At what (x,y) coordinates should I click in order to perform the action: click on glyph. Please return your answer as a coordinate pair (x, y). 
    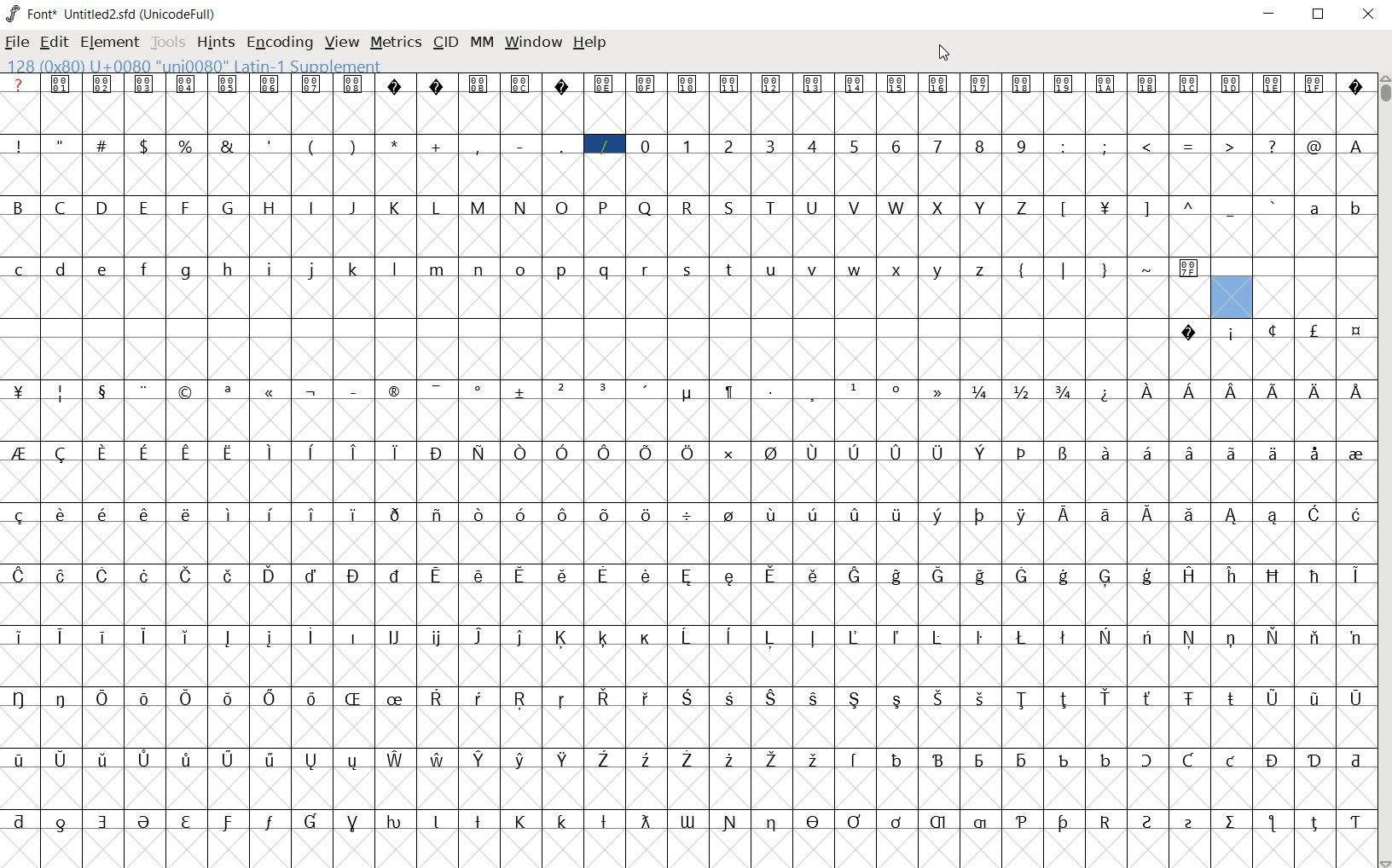
    Looking at the image, I should click on (729, 514).